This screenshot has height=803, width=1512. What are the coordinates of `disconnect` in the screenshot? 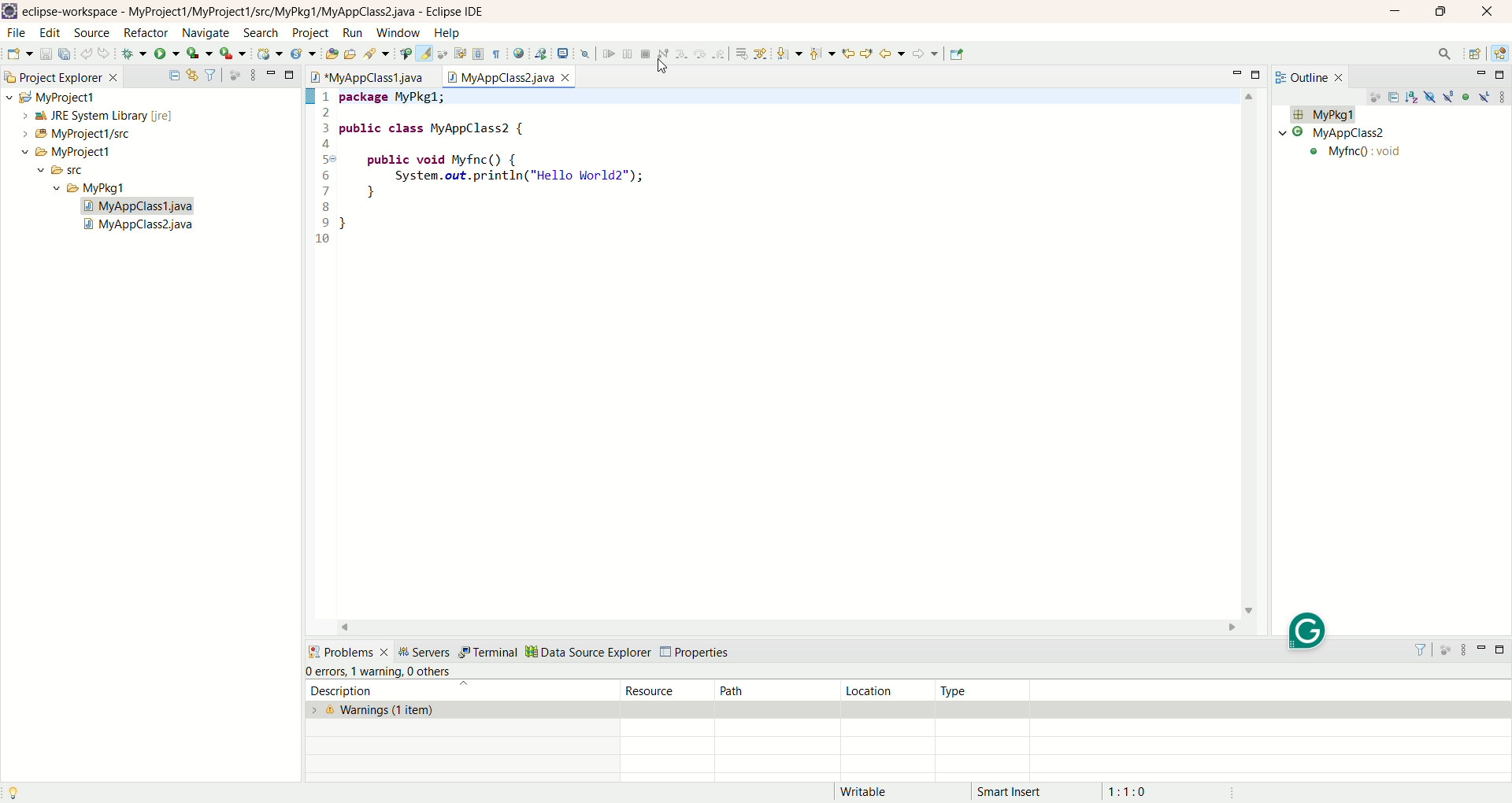 It's located at (662, 54).